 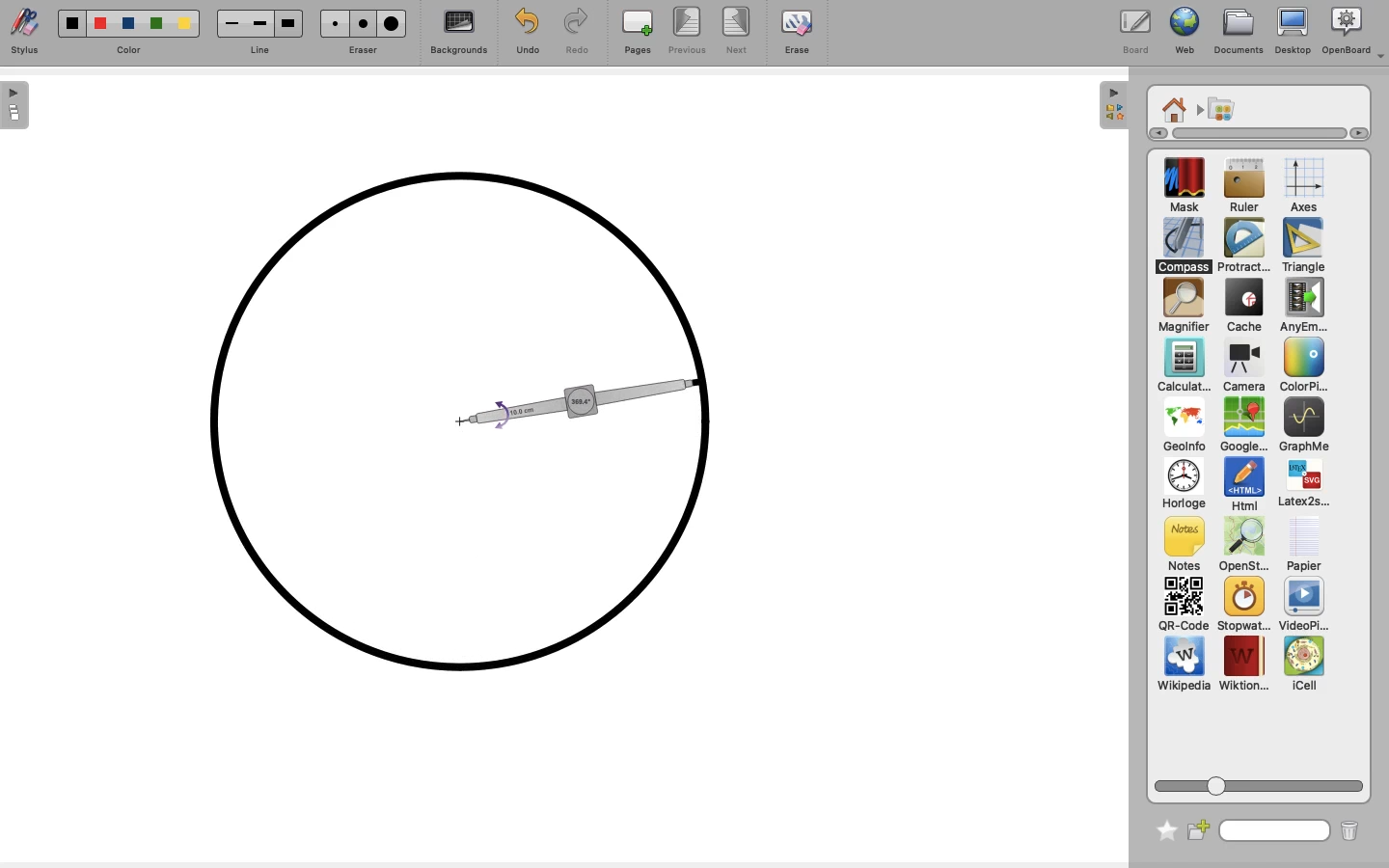 I want to click on Notes, so click(x=1181, y=545).